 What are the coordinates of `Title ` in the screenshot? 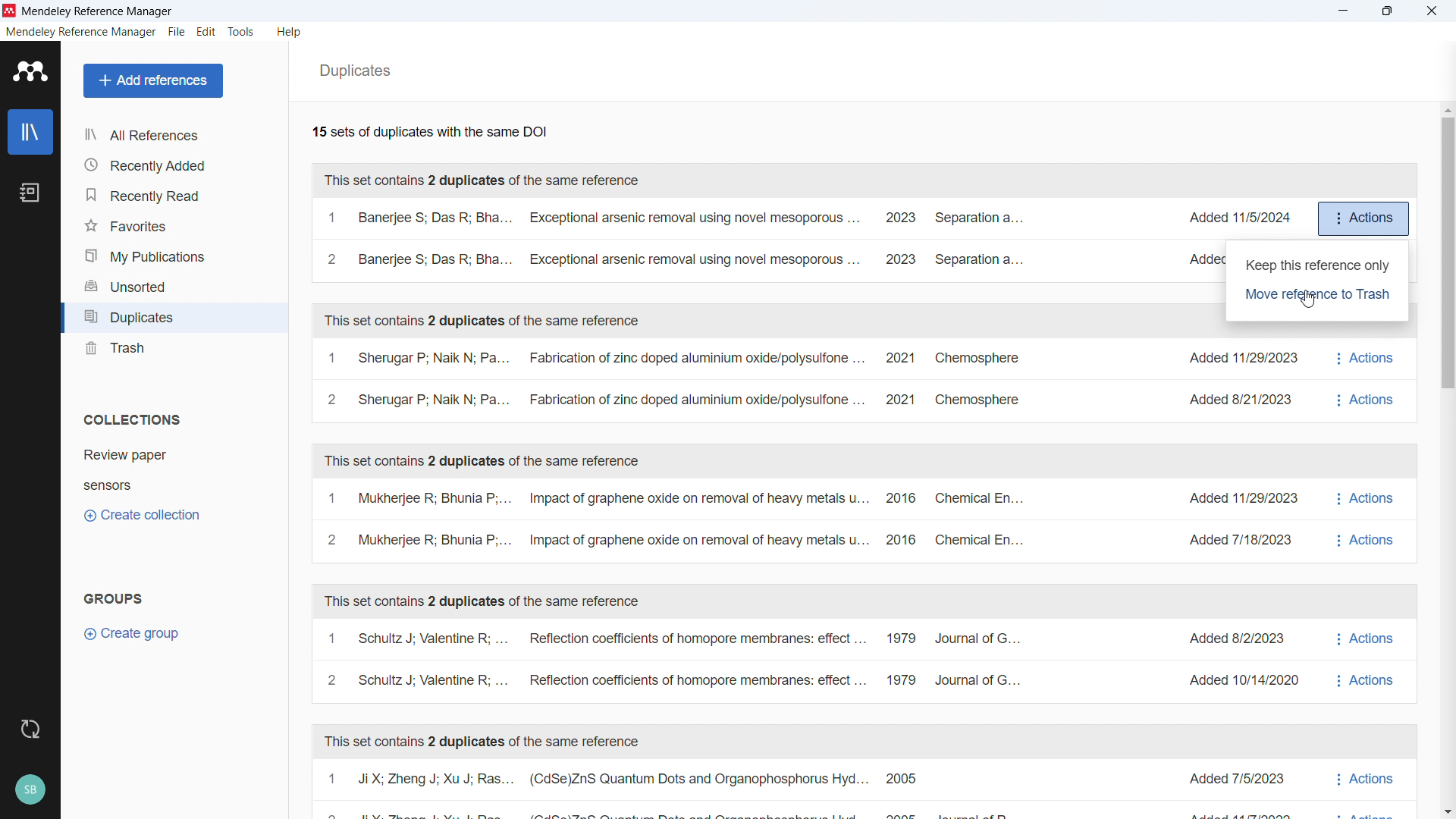 It's located at (99, 12).